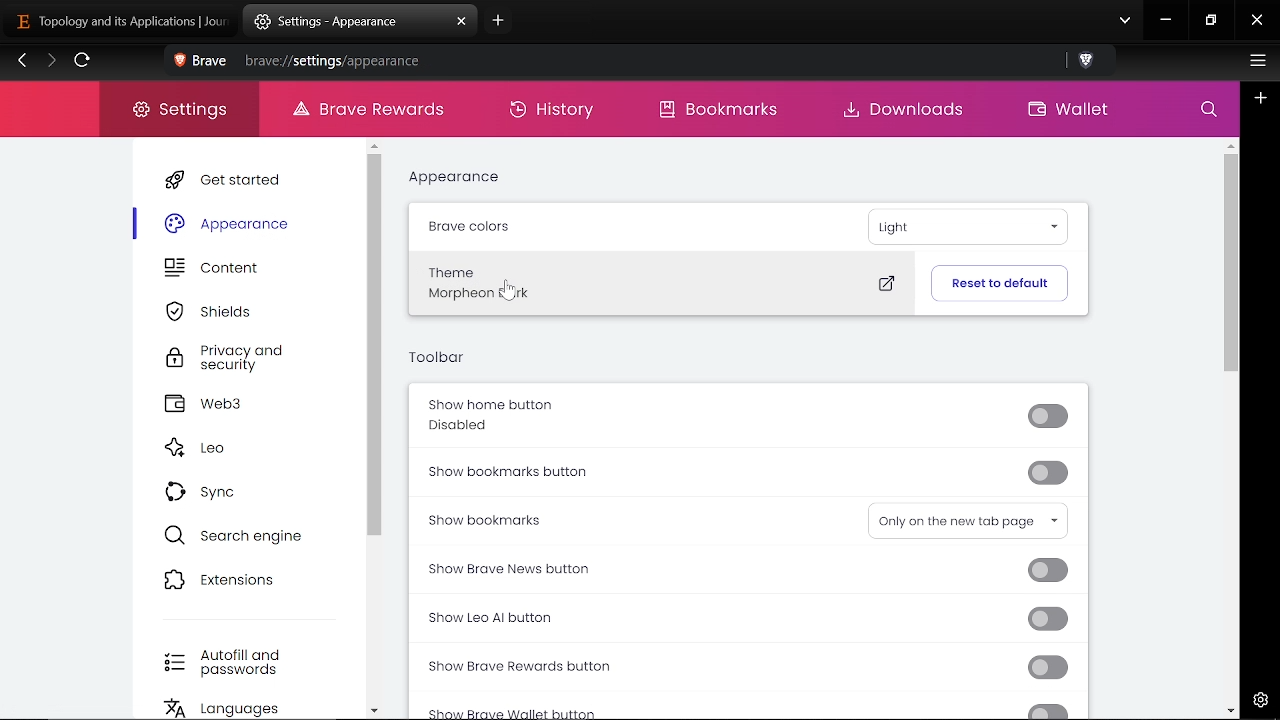 The image size is (1280, 720). What do you see at coordinates (744, 570) in the screenshot?
I see `Show brave news button` at bounding box center [744, 570].